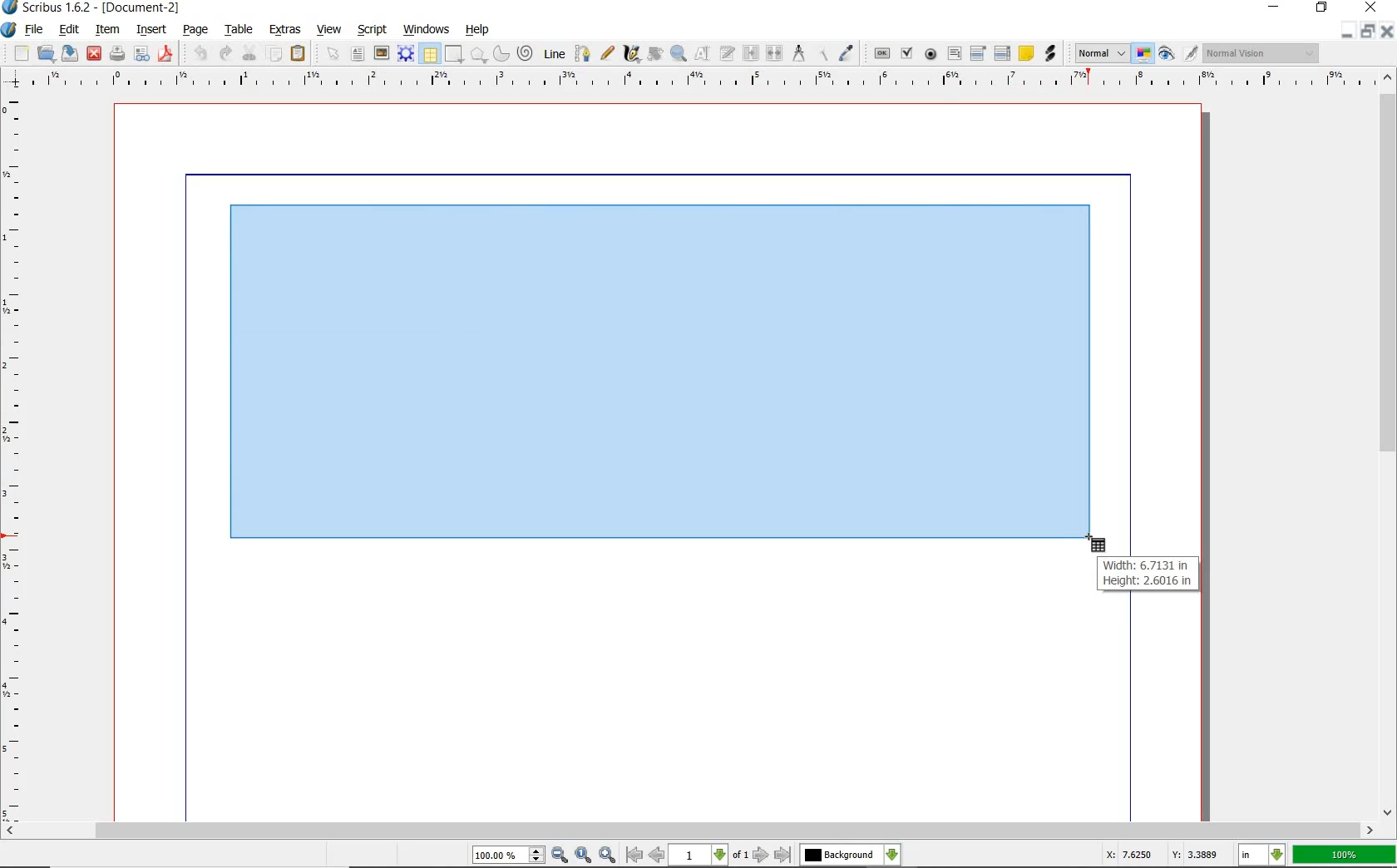 The width and height of the screenshot is (1397, 868). What do you see at coordinates (782, 855) in the screenshot?
I see `go to last page` at bounding box center [782, 855].